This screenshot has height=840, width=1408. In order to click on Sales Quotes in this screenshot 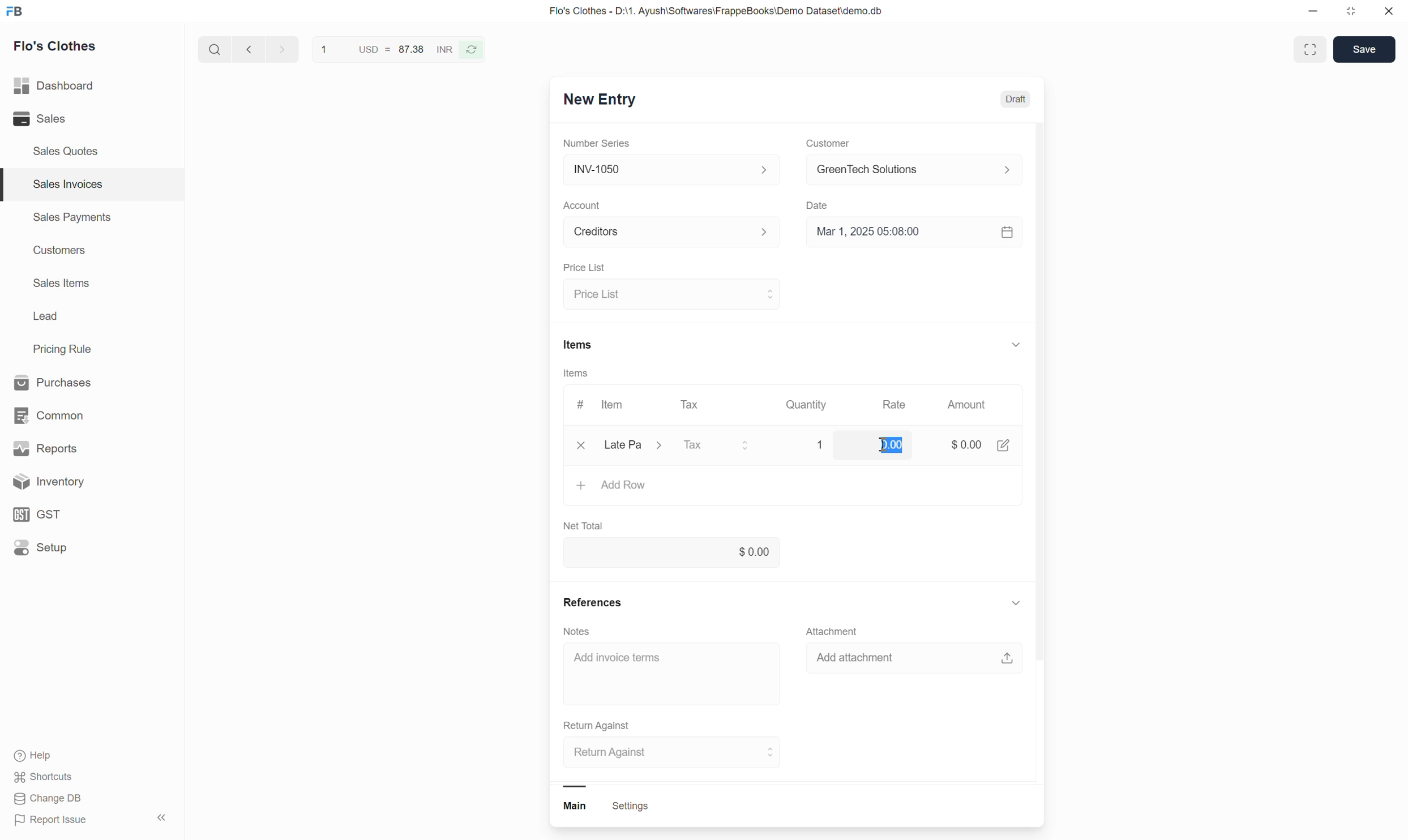, I will do `click(66, 151)`.